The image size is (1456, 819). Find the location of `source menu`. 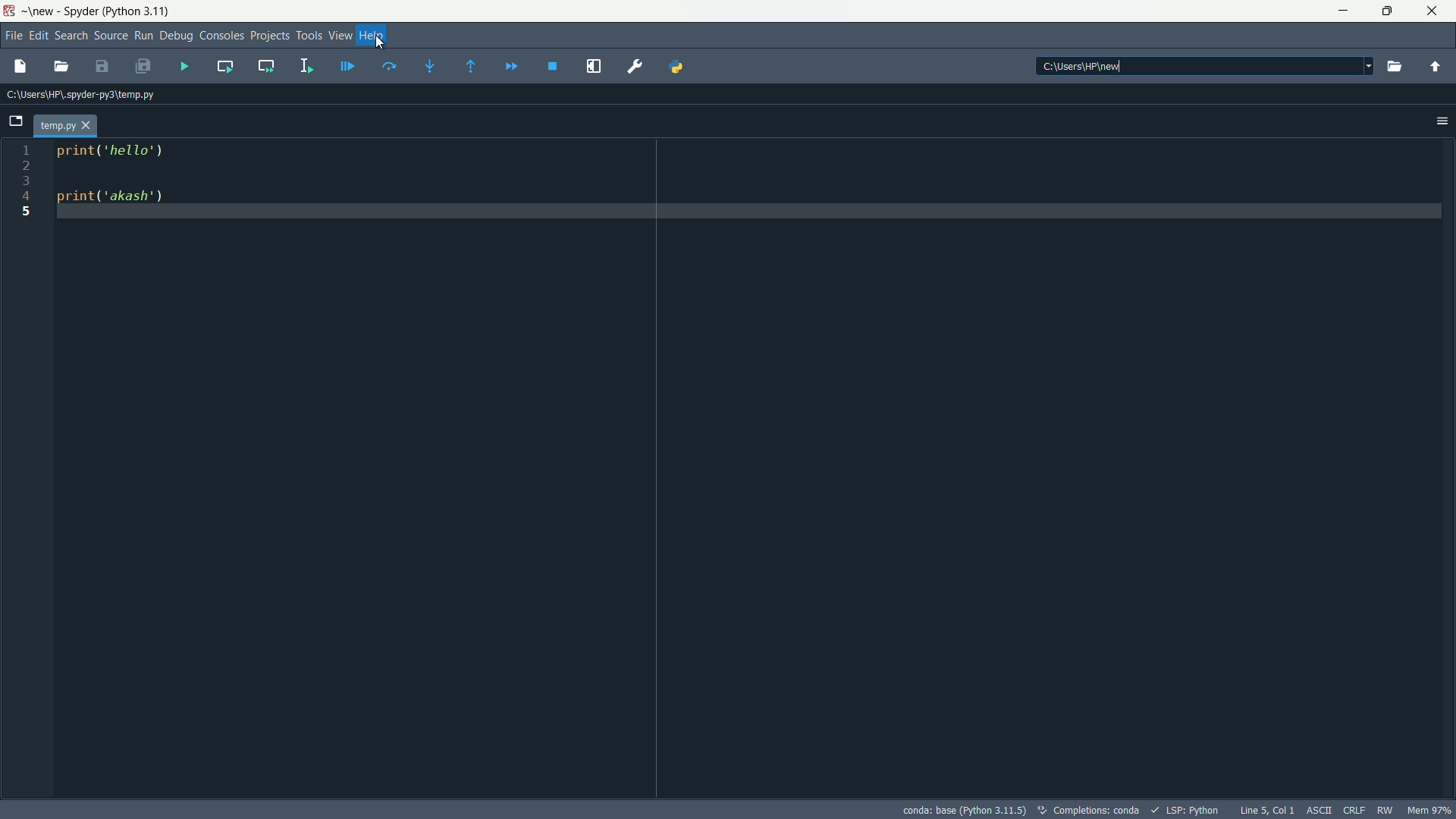

source menu is located at coordinates (111, 33).